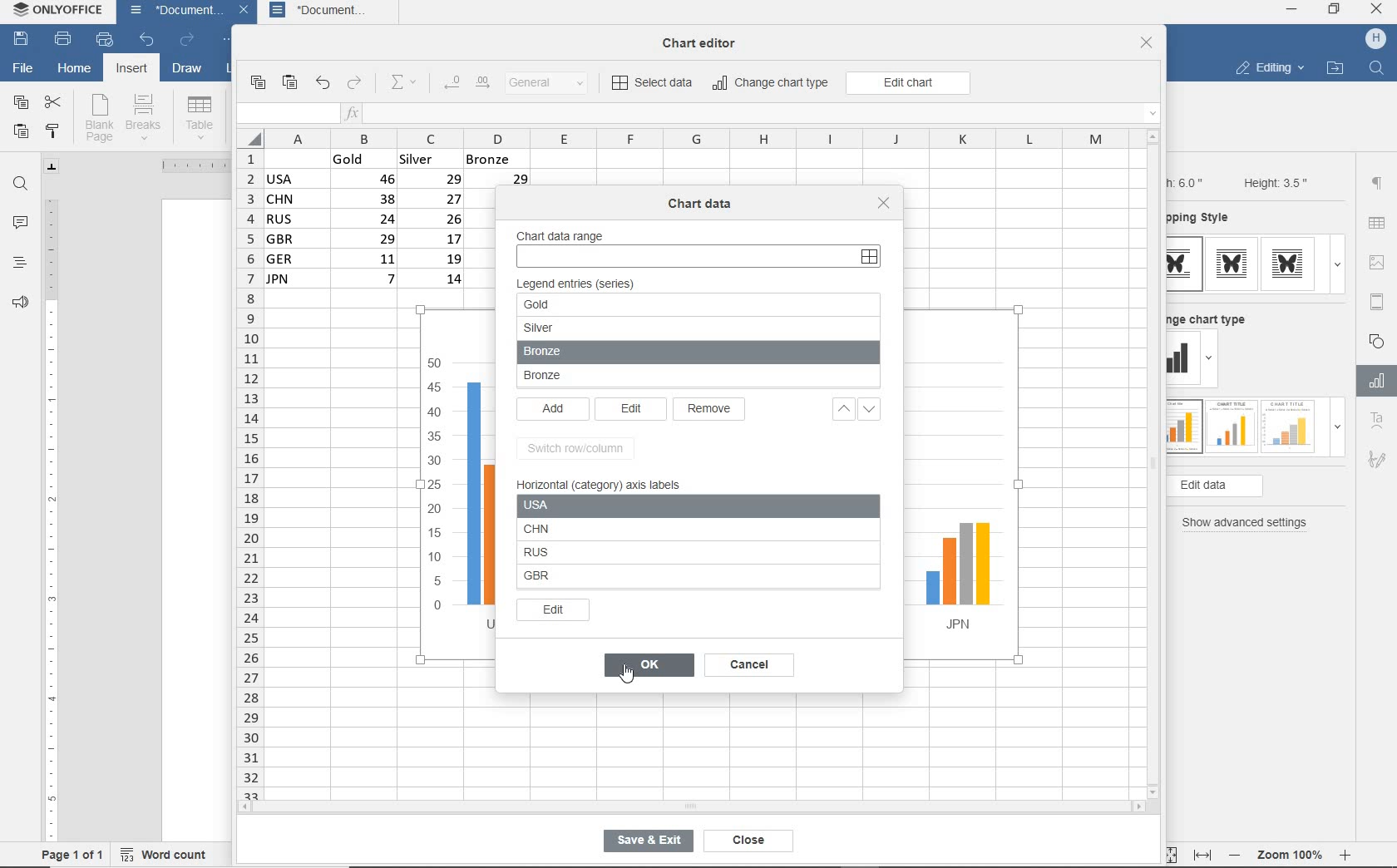  I want to click on close, so click(744, 841).